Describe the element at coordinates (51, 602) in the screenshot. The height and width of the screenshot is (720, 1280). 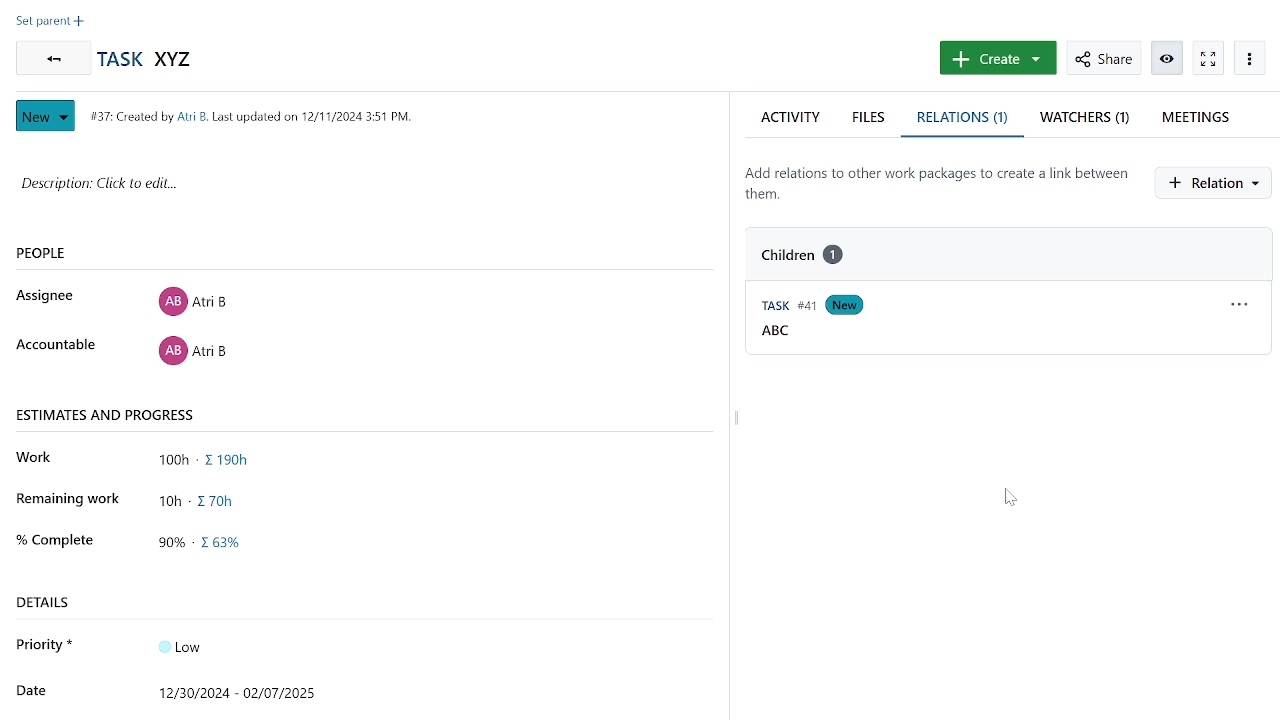
I see `details` at that location.